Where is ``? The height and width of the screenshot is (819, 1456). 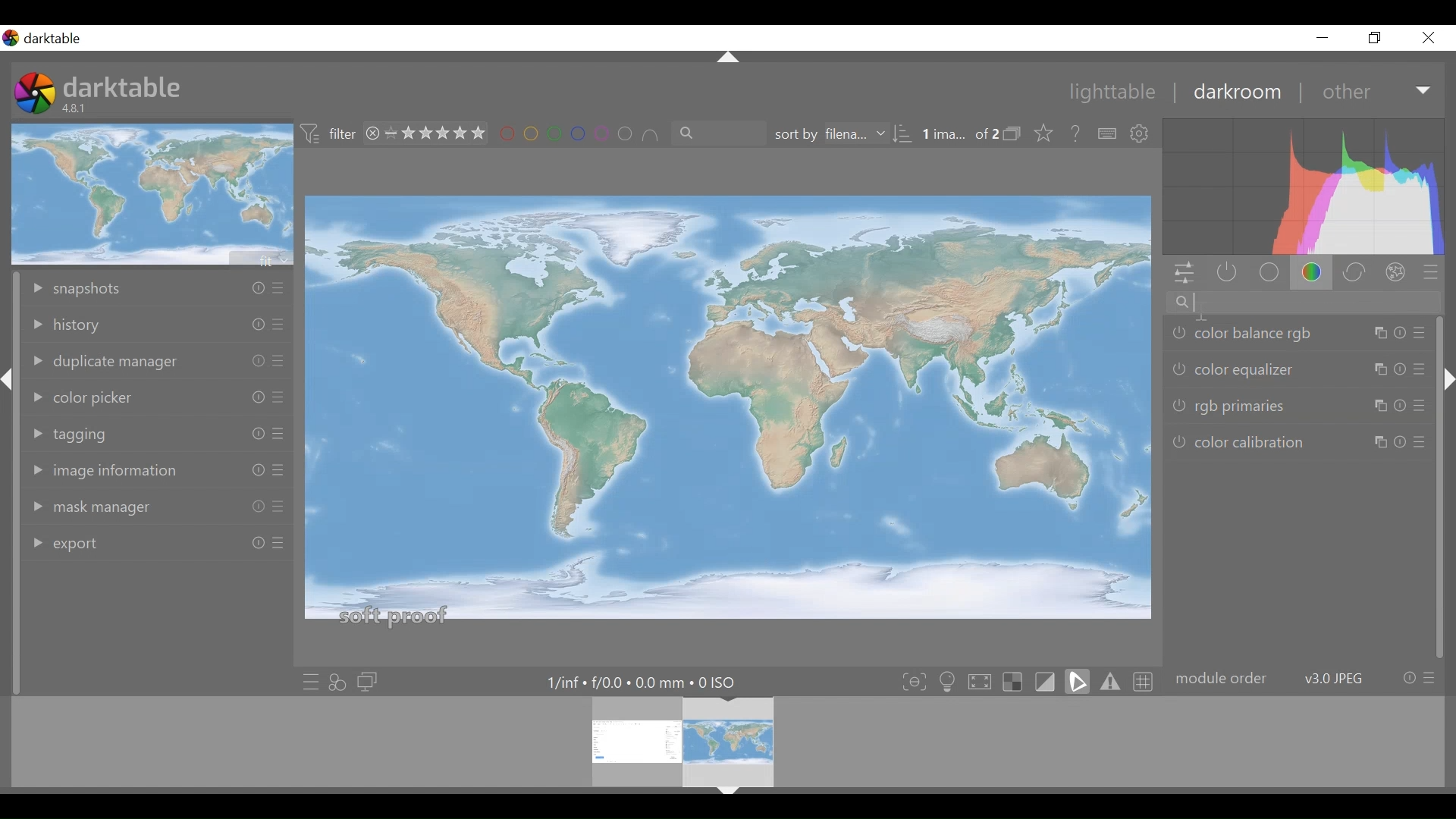  is located at coordinates (249, 396).